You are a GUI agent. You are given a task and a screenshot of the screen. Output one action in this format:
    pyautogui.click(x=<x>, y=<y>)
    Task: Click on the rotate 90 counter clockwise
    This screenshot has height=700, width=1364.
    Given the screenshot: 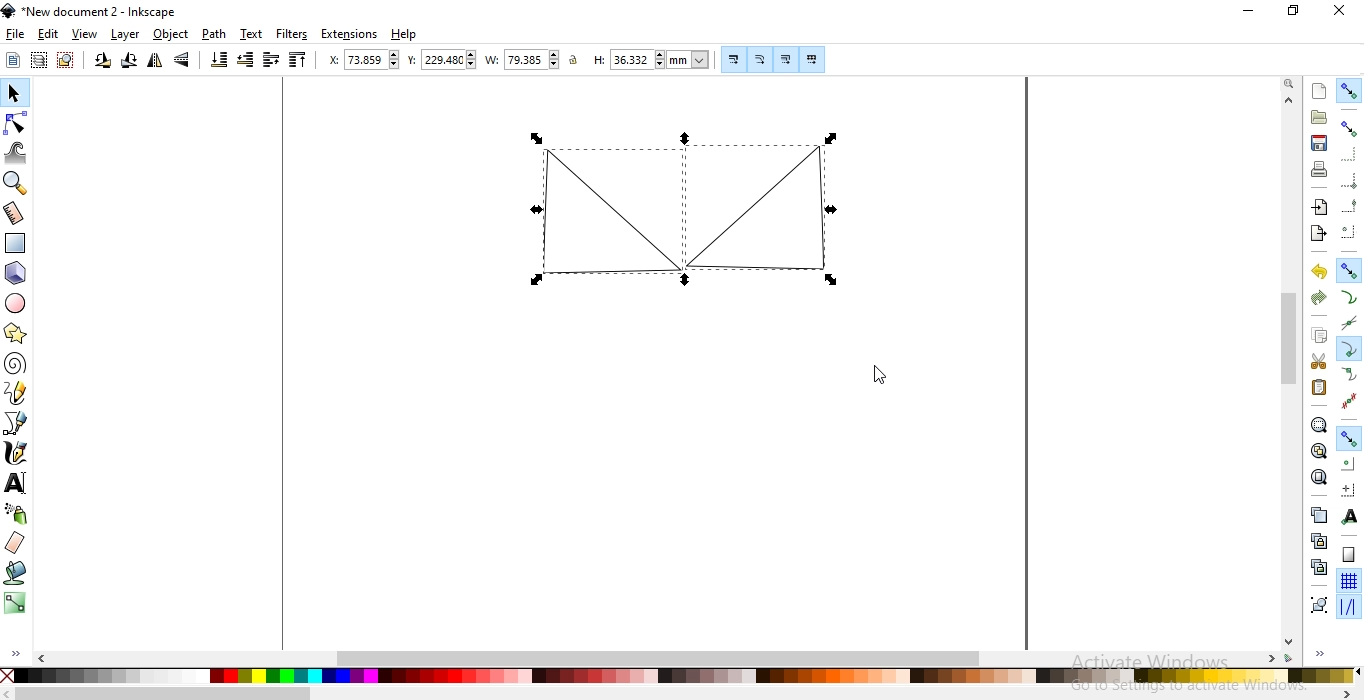 What is the action you would take?
    pyautogui.click(x=103, y=61)
    